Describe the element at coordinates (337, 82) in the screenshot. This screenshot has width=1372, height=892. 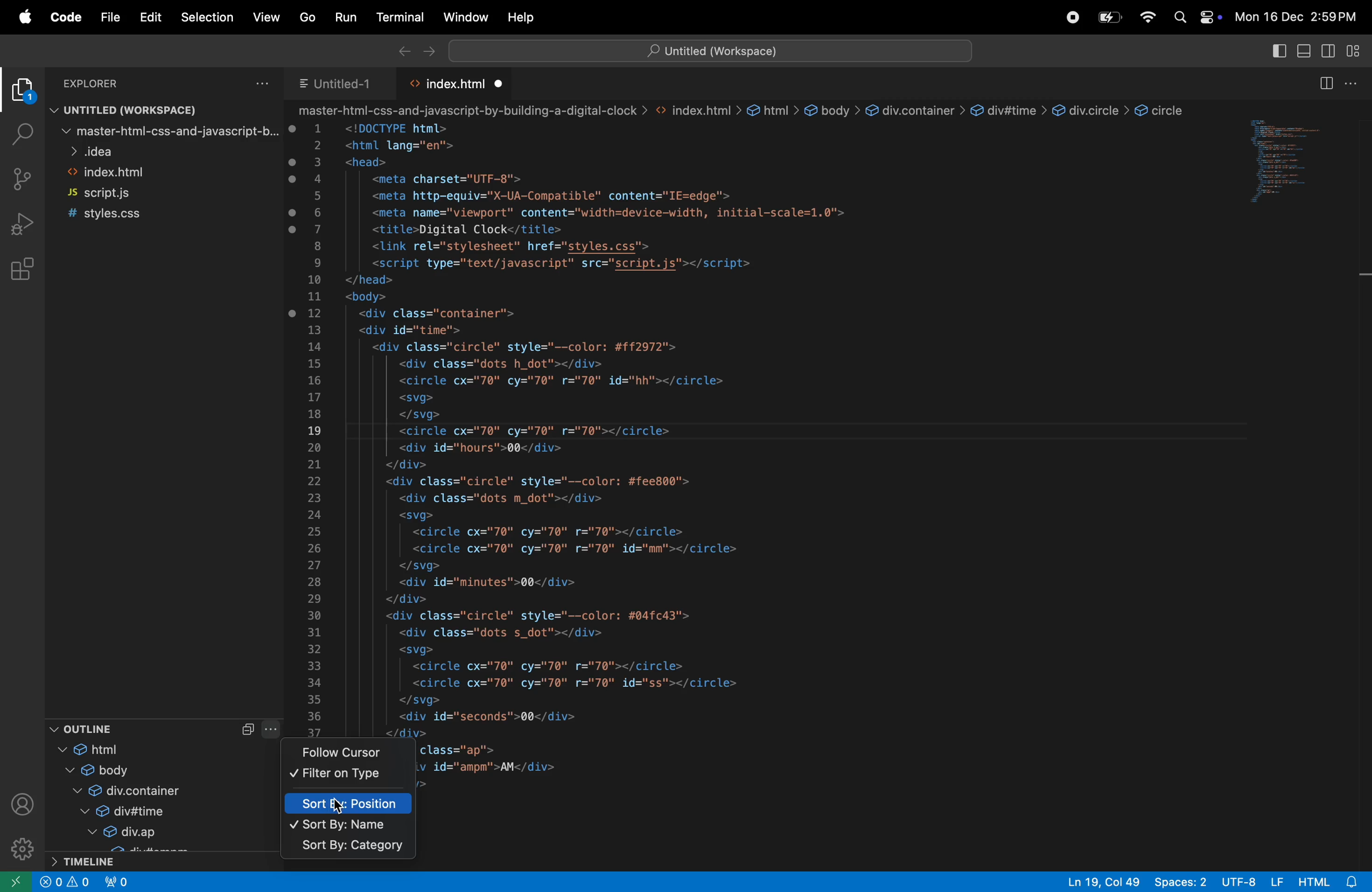
I see `untitled 1` at that location.